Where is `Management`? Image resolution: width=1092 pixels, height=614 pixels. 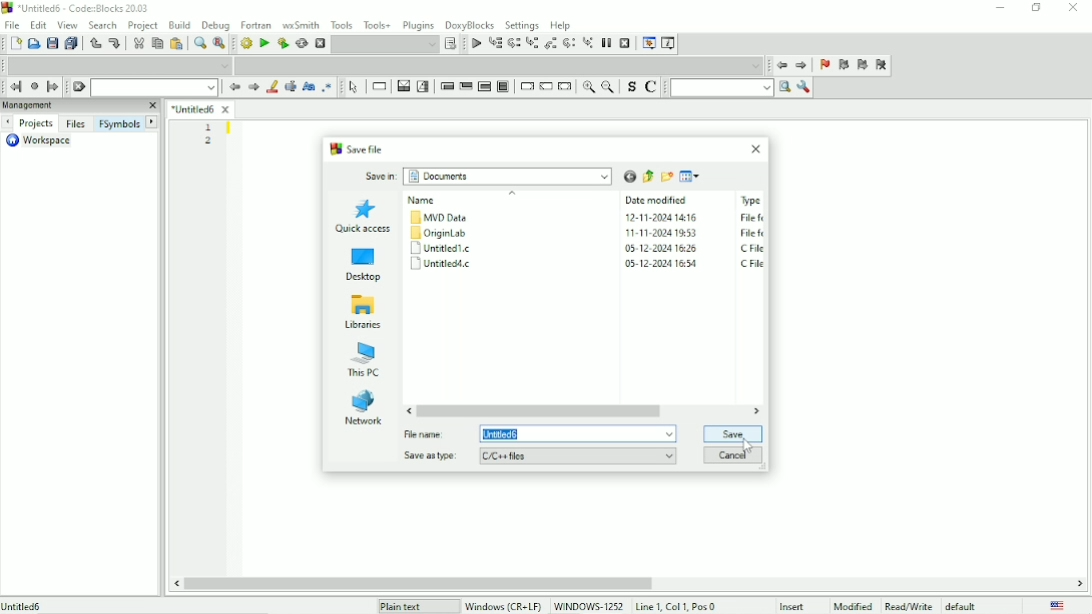
Management is located at coordinates (80, 106).